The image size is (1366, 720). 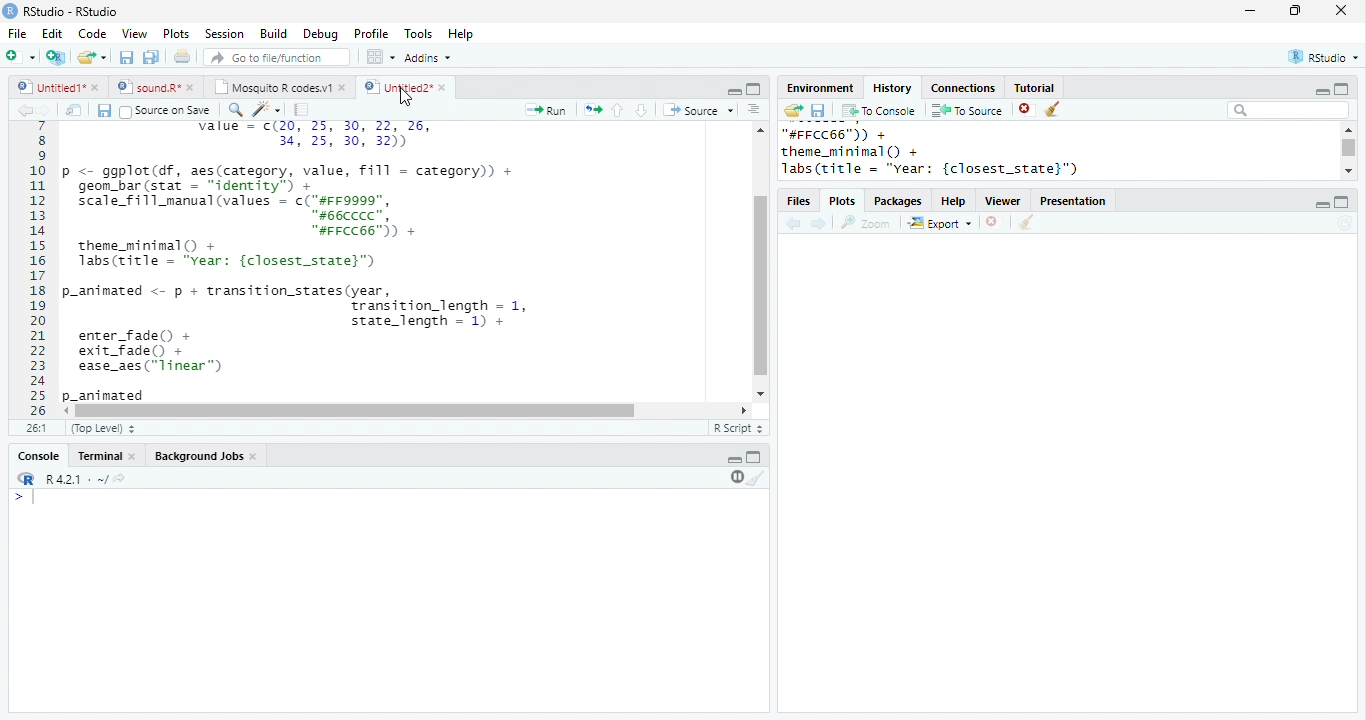 I want to click on back, so click(x=23, y=110).